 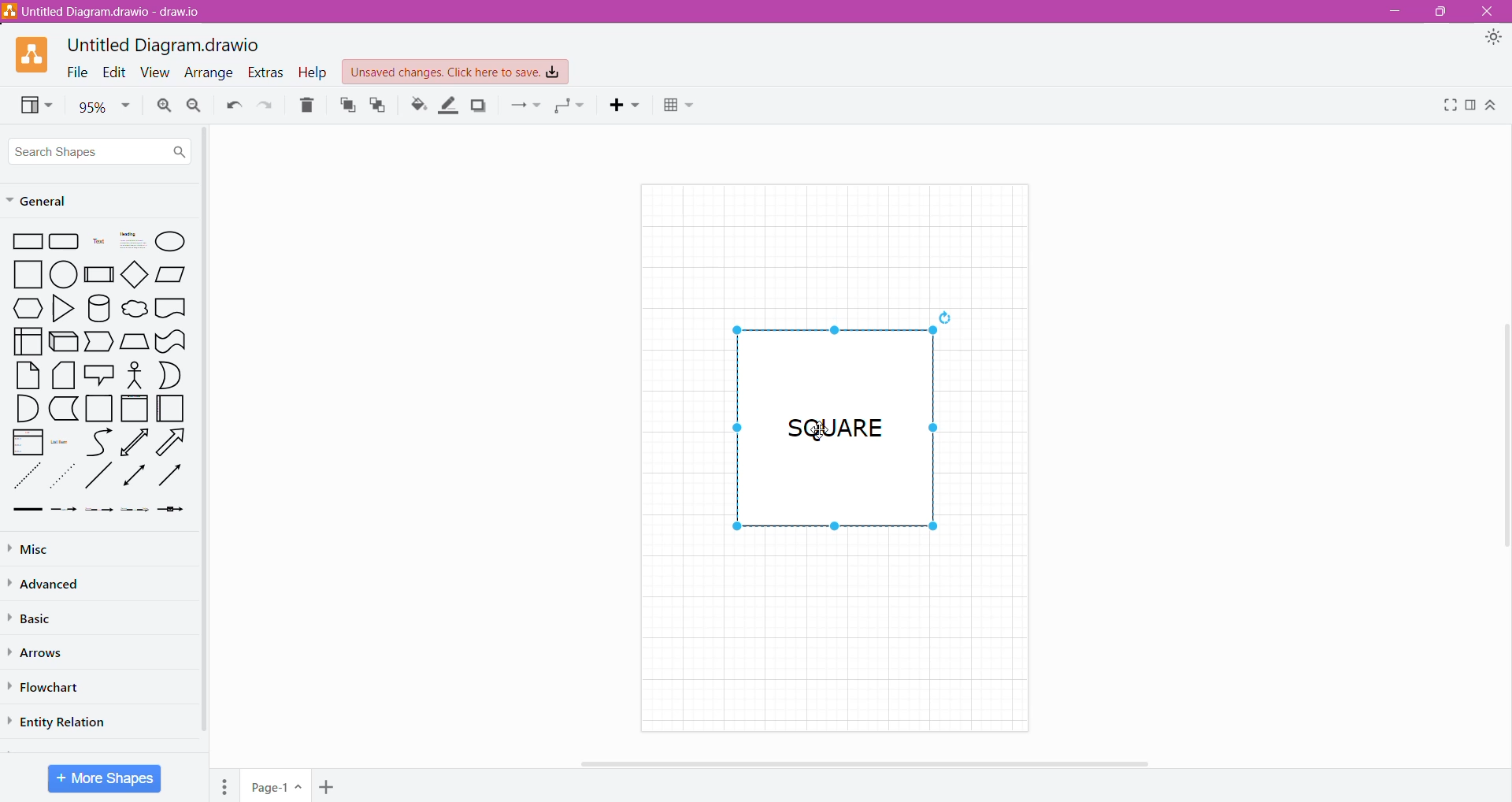 I want to click on Application Logo, so click(x=33, y=55).